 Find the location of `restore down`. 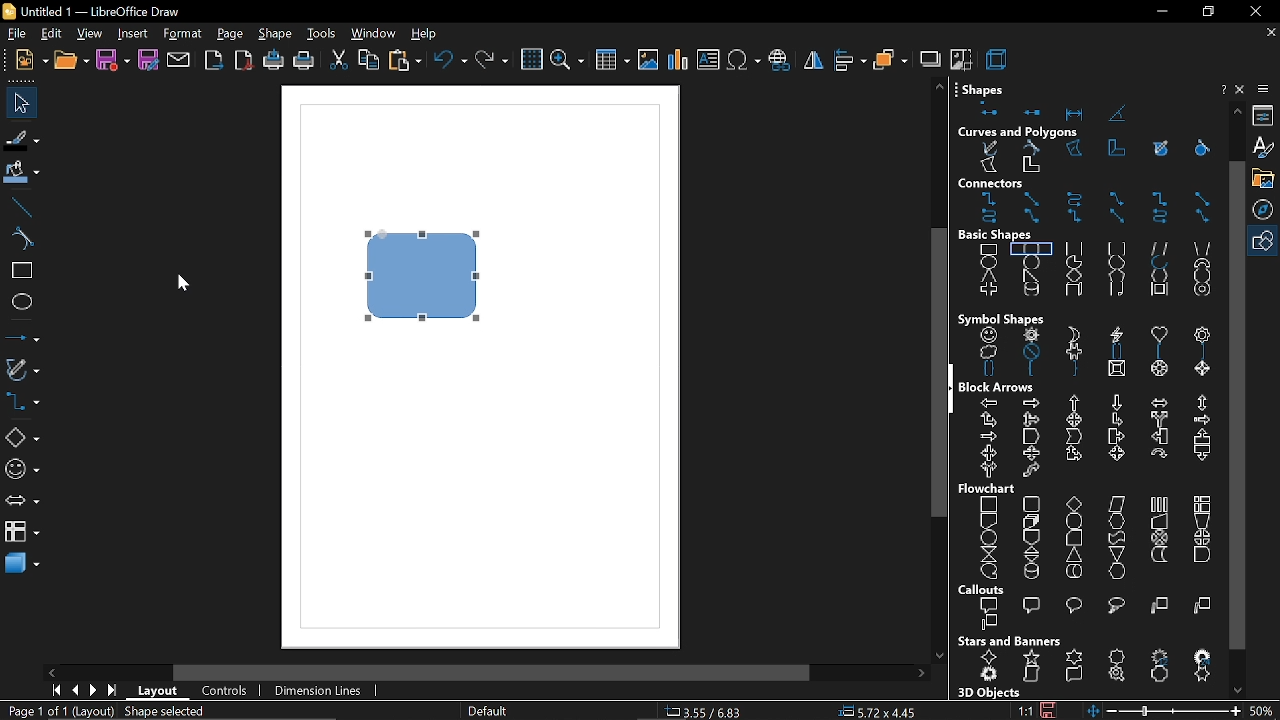

restore down is located at coordinates (1206, 12).